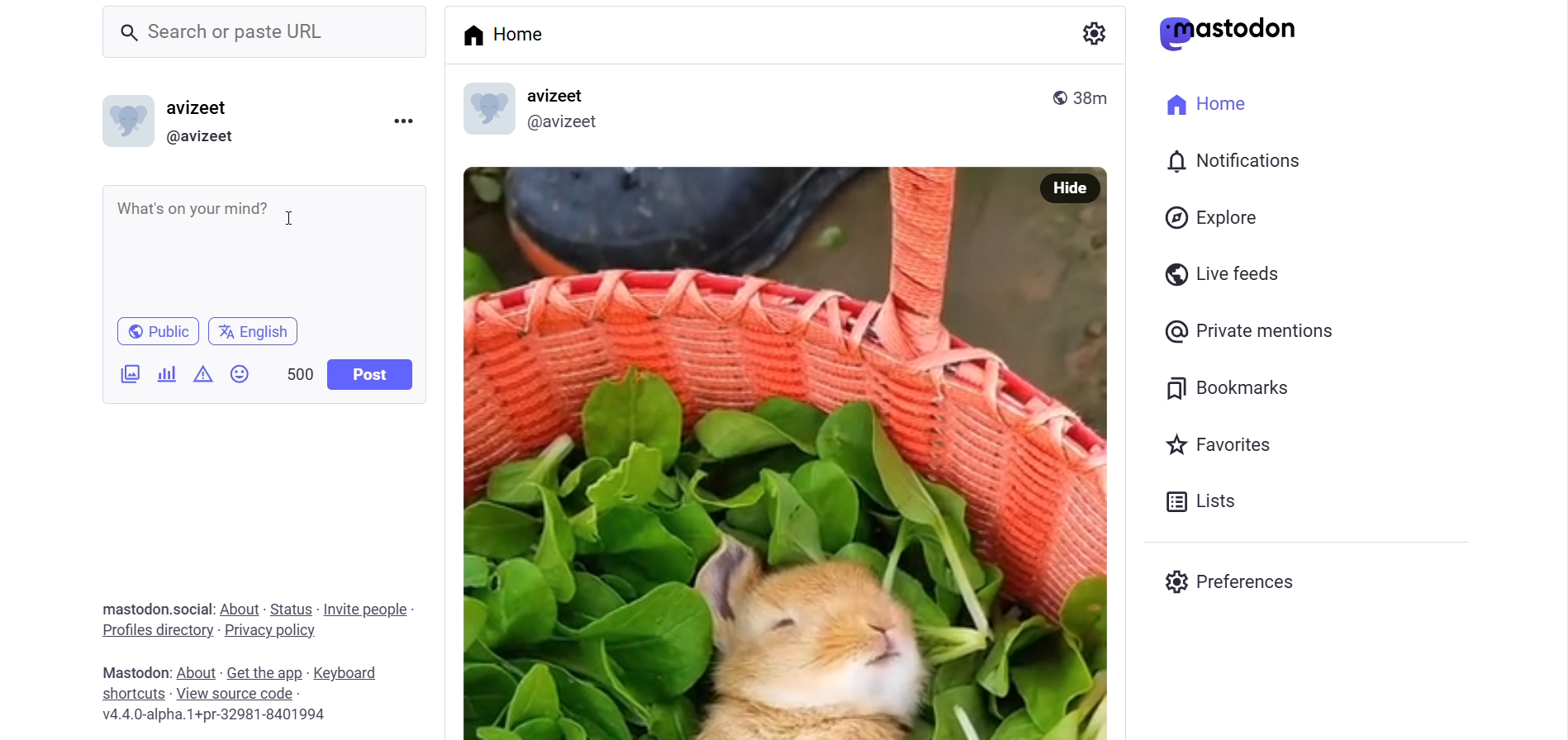  What do you see at coordinates (276, 630) in the screenshot?
I see `Privacy policy` at bounding box center [276, 630].